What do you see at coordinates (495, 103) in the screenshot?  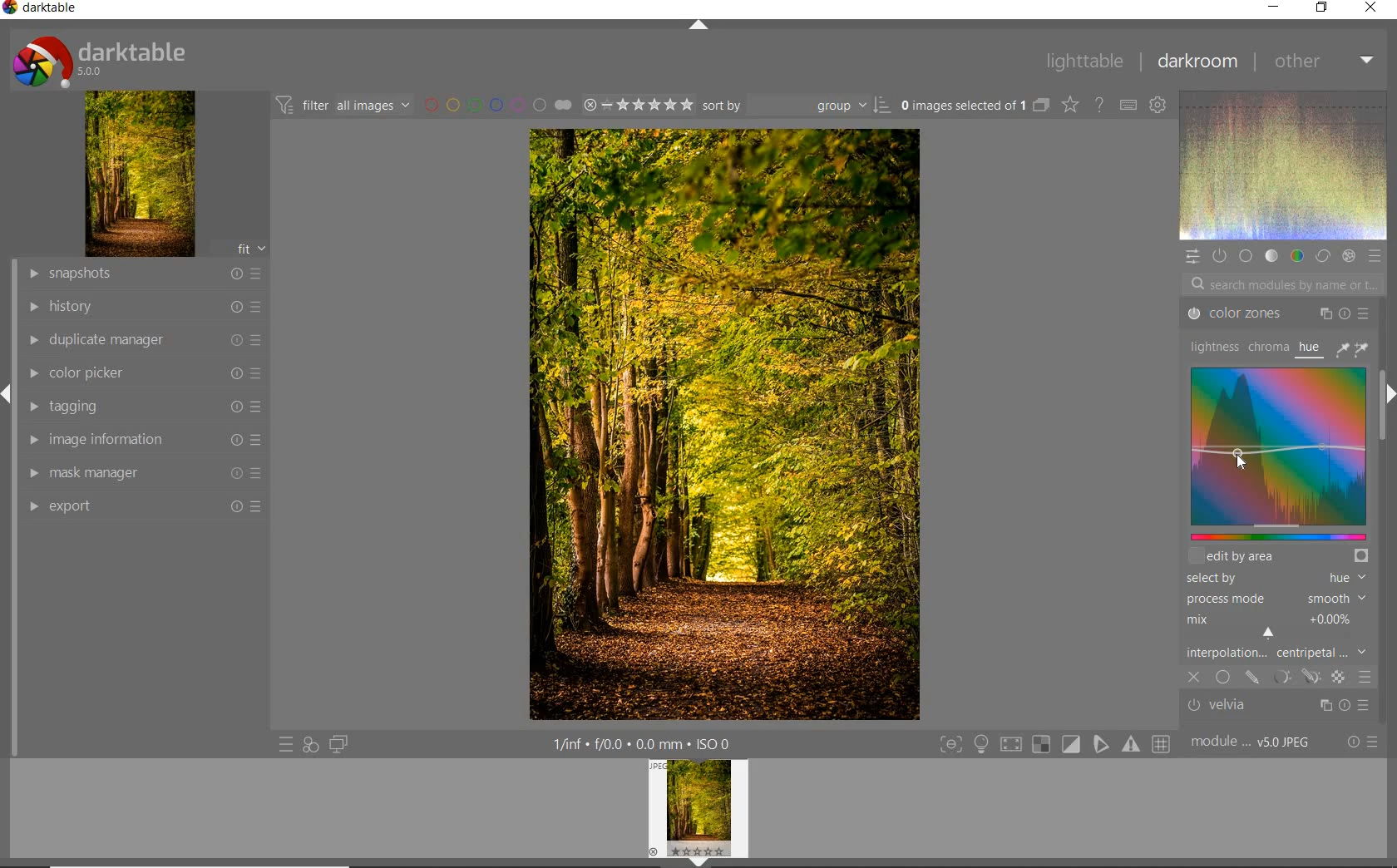 I see `FILTER BY IMAGE COLOR LABEL` at bounding box center [495, 103].